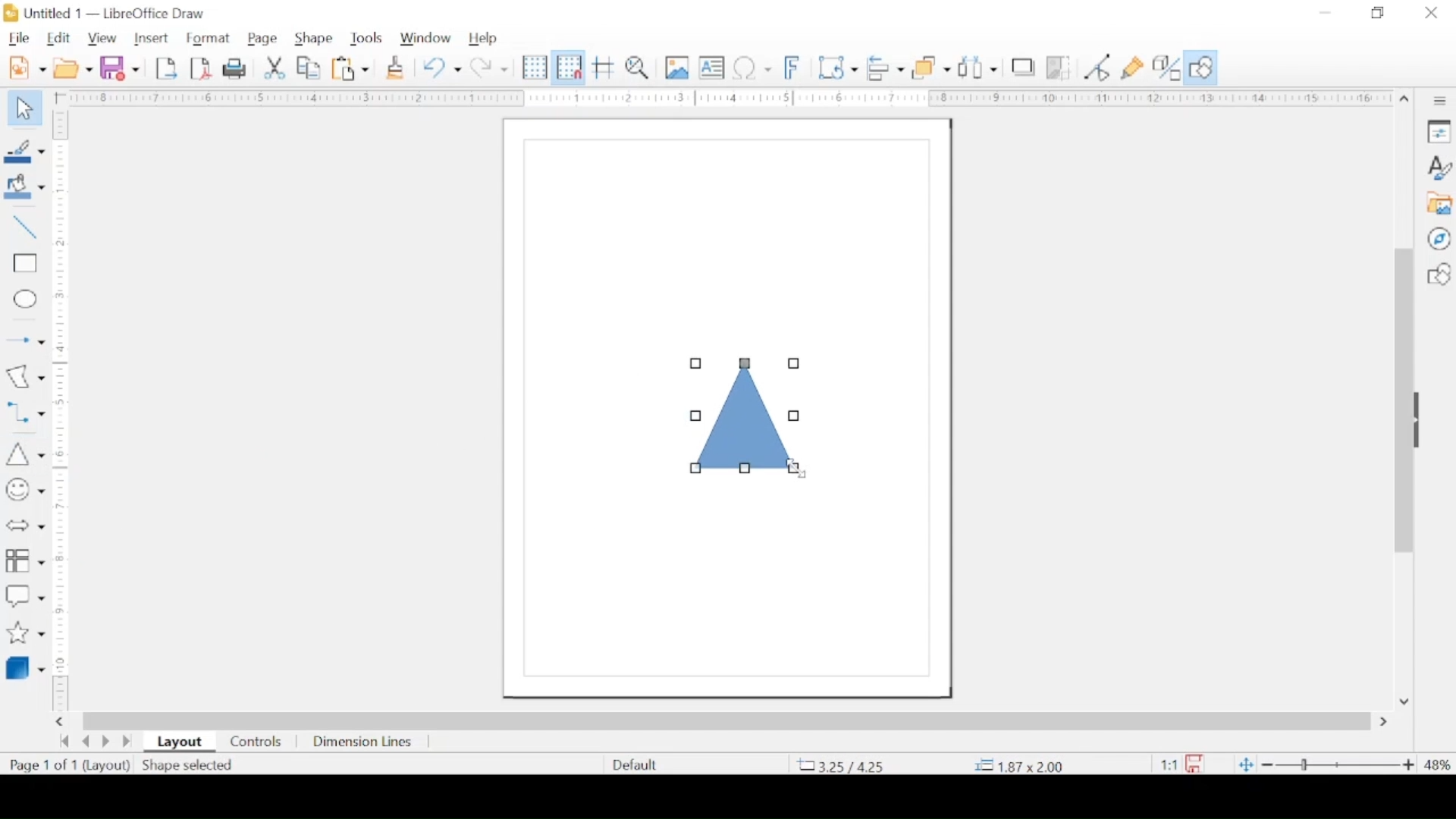 Image resolution: width=1456 pixels, height=819 pixels. Describe the element at coordinates (24, 300) in the screenshot. I see `insert ellipse` at that location.